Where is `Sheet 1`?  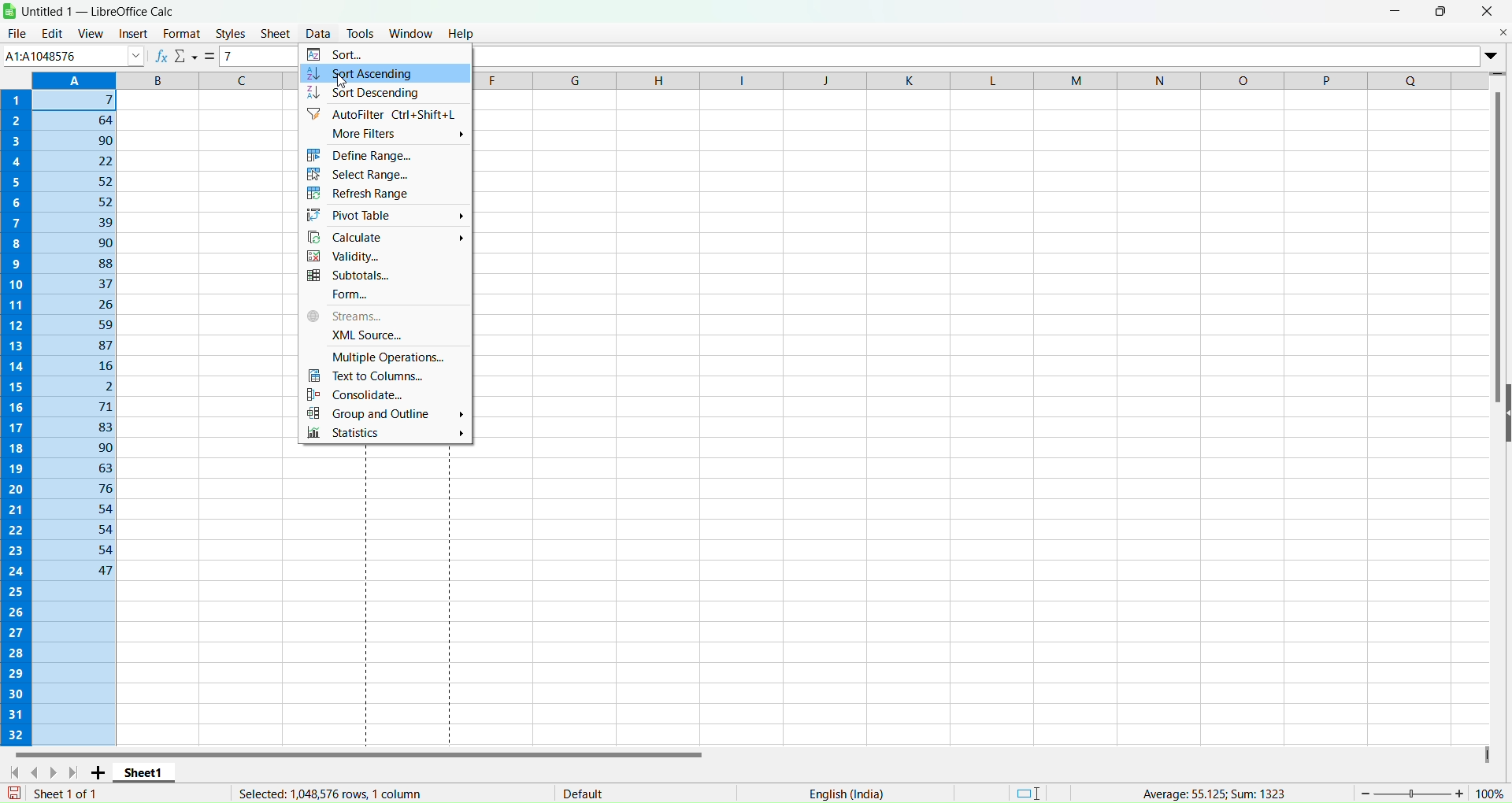
Sheet 1 is located at coordinates (154, 771).